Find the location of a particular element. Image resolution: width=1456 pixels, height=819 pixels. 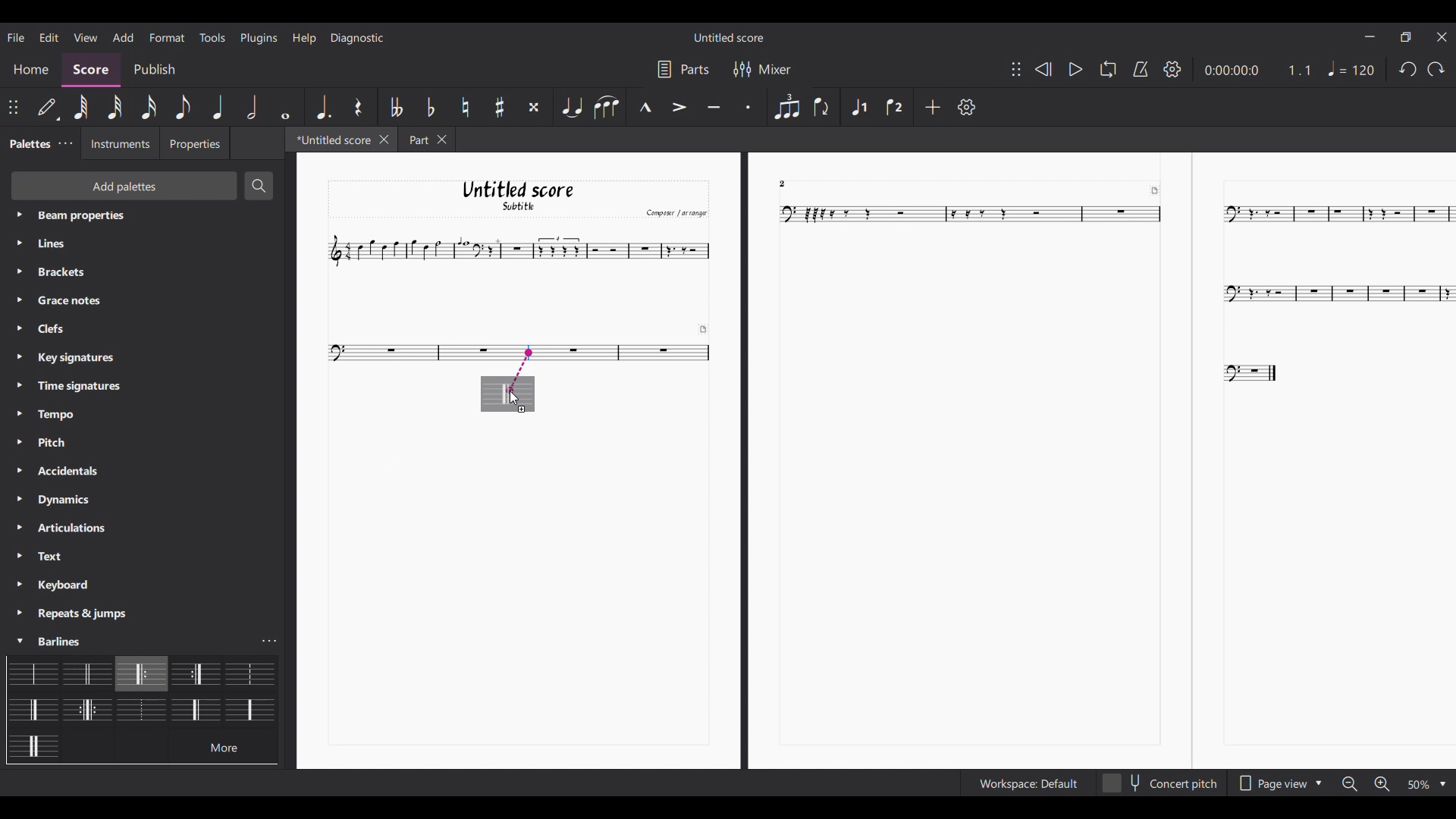

Half note is located at coordinates (252, 107).